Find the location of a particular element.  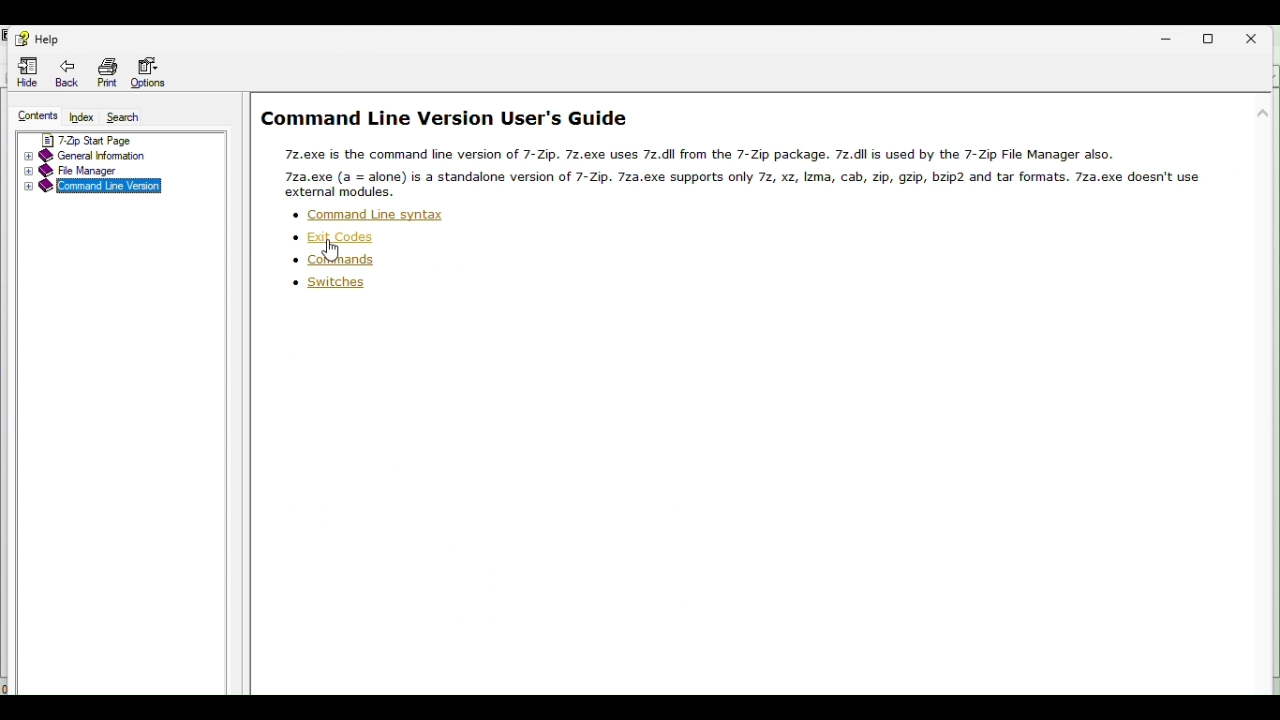

File manager is located at coordinates (118, 171).